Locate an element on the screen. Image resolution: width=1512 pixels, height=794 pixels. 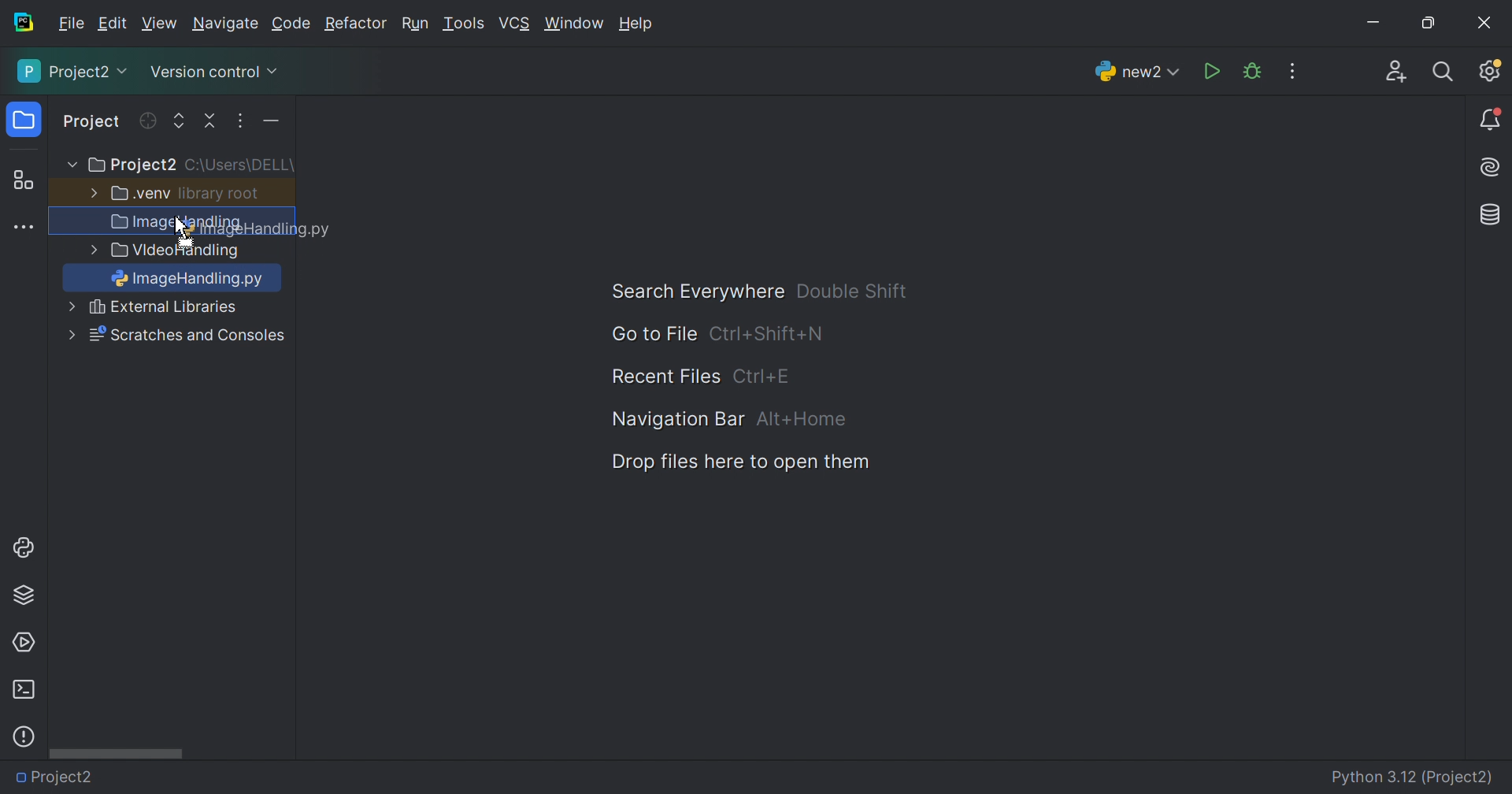
More is located at coordinates (69, 165).